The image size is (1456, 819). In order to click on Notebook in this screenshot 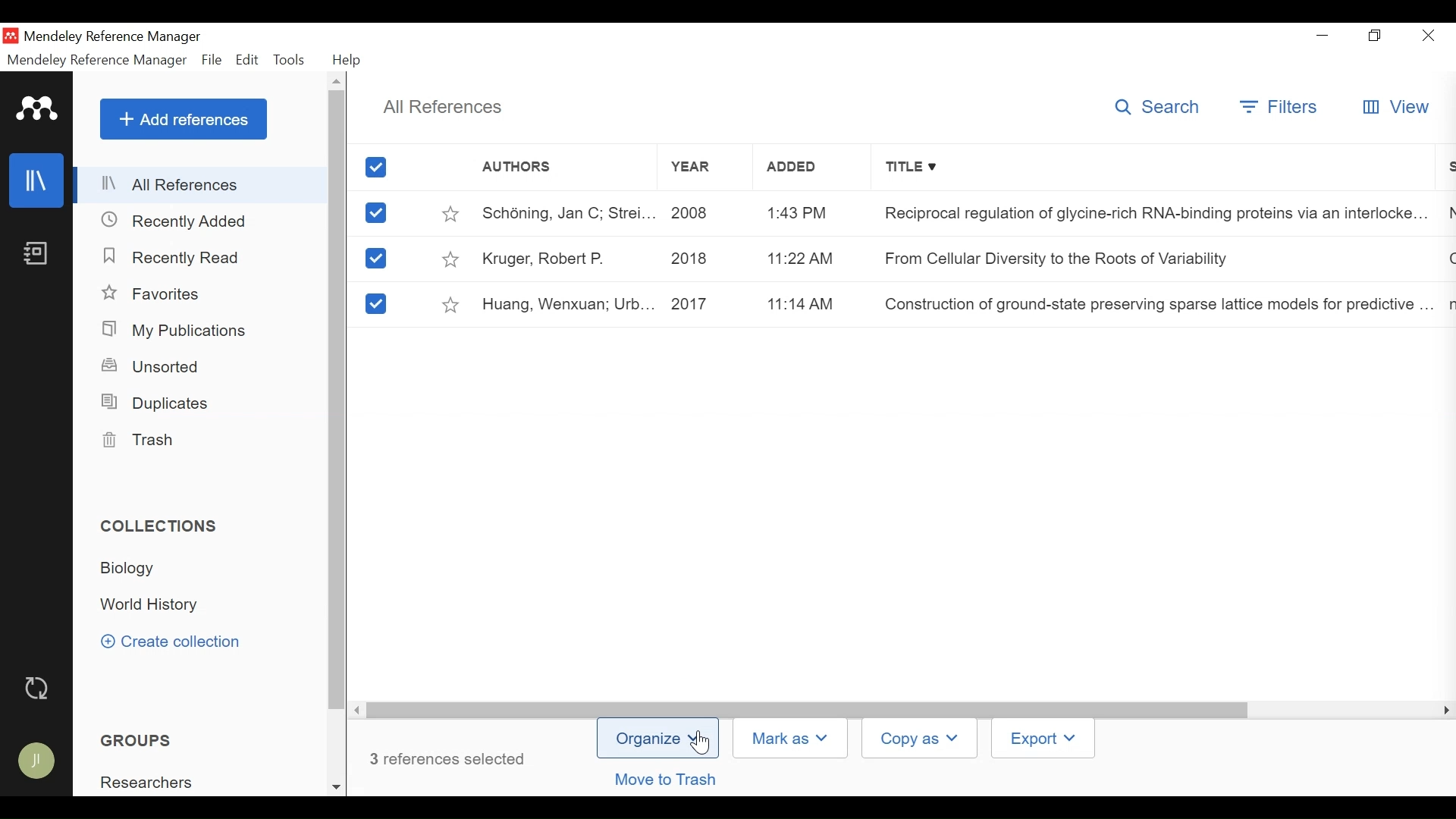, I will do `click(36, 255)`.